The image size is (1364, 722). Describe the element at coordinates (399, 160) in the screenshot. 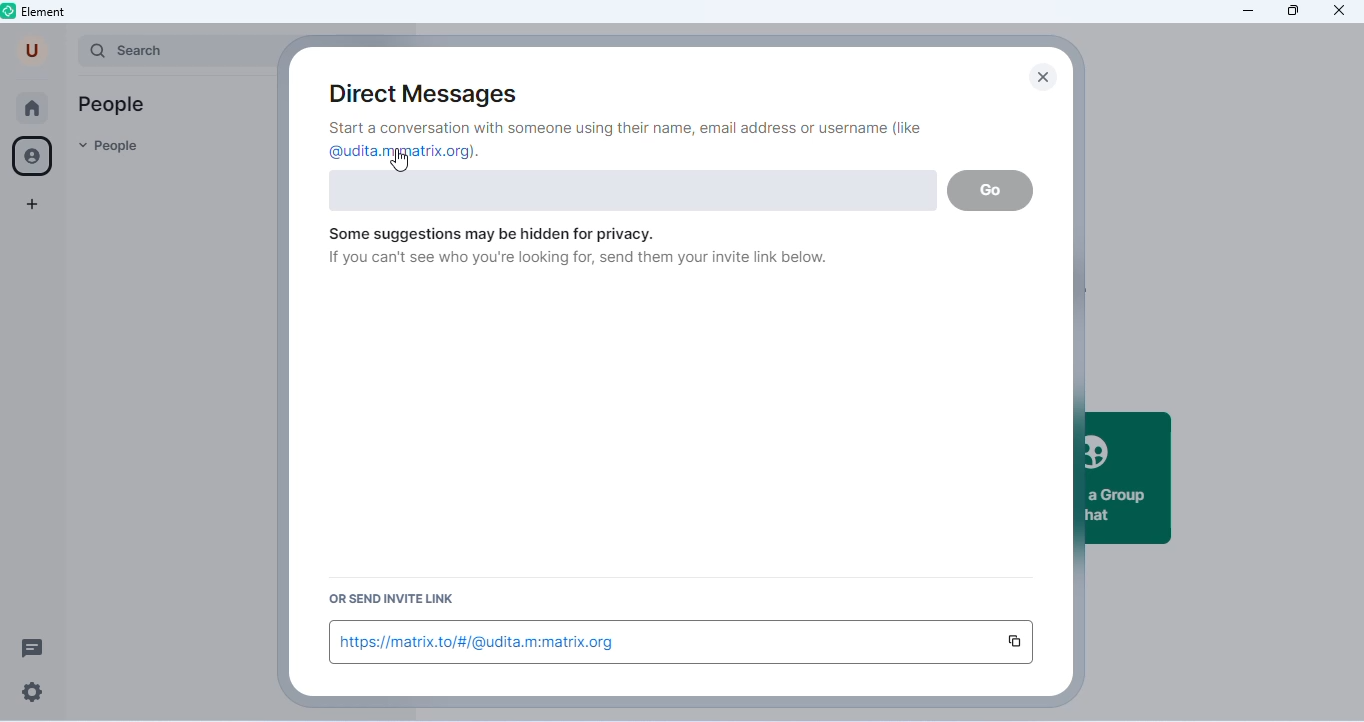

I see `cursor` at that location.